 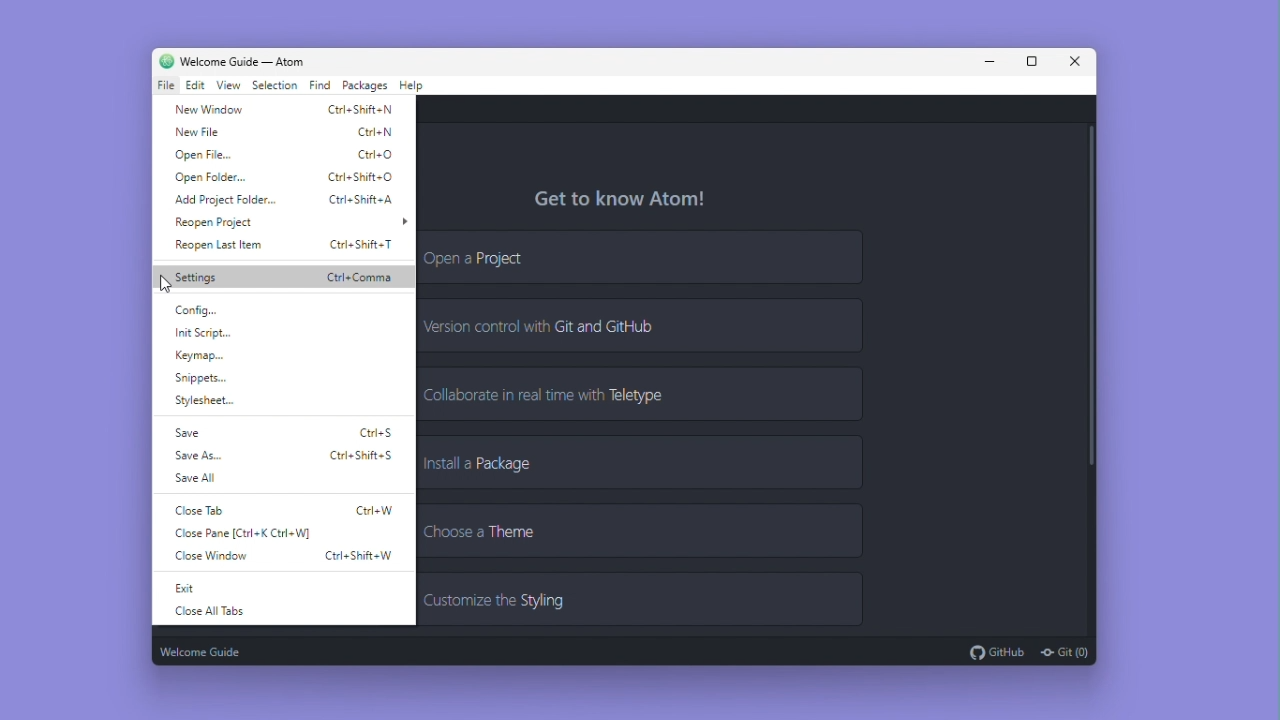 What do you see at coordinates (1076, 59) in the screenshot?
I see `Close` at bounding box center [1076, 59].